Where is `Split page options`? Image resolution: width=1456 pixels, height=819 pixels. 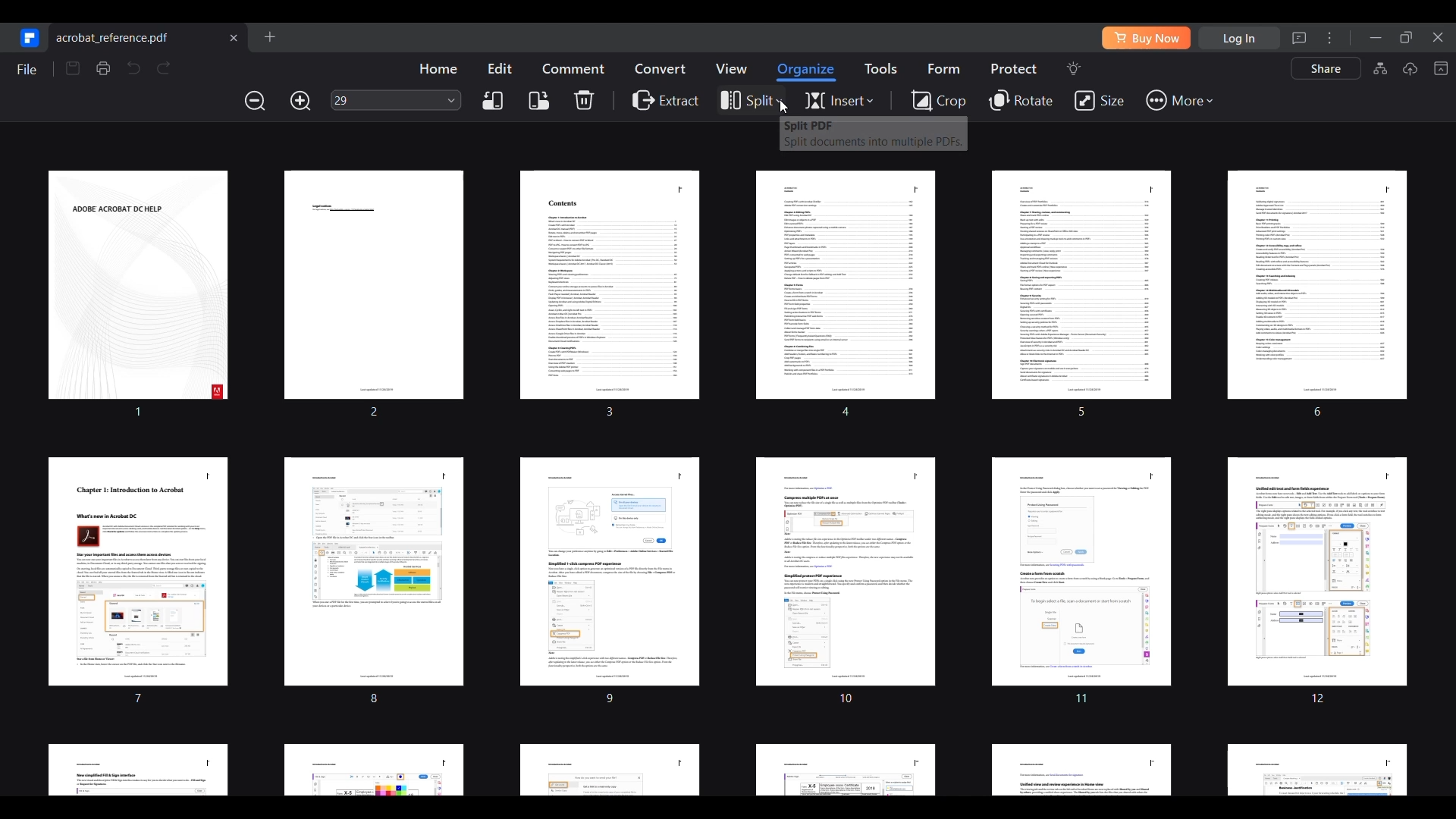 Split page options is located at coordinates (750, 101).